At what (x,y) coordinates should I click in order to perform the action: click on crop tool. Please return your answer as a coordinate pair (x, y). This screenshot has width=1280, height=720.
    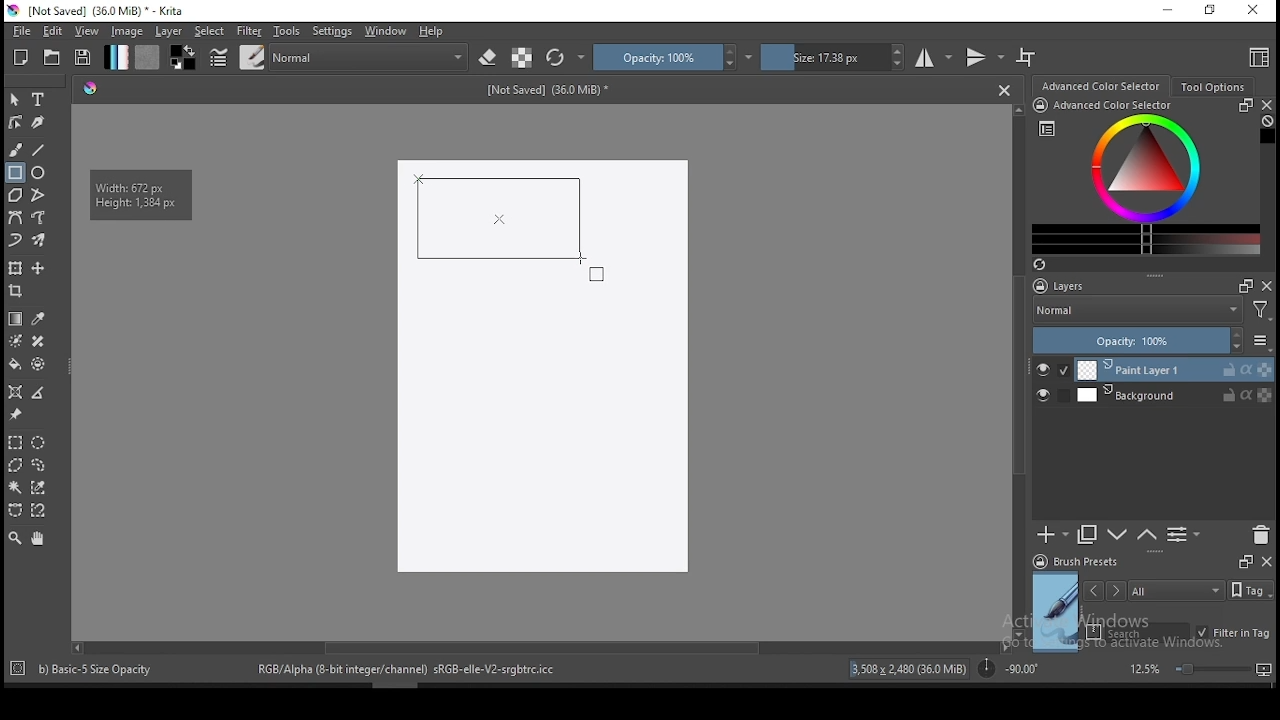
    Looking at the image, I should click on (18, 293).